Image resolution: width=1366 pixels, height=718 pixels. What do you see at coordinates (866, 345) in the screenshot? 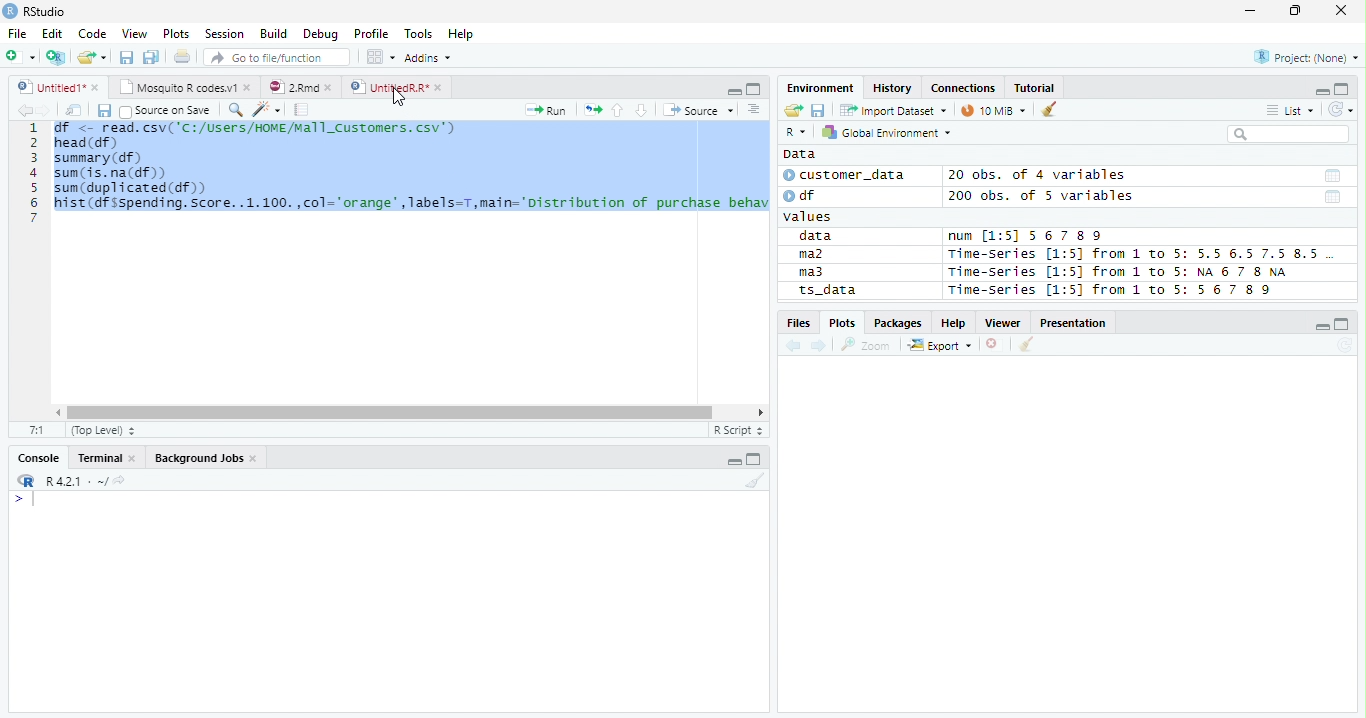
I see `Zoom` at bounding box center [866, 345].